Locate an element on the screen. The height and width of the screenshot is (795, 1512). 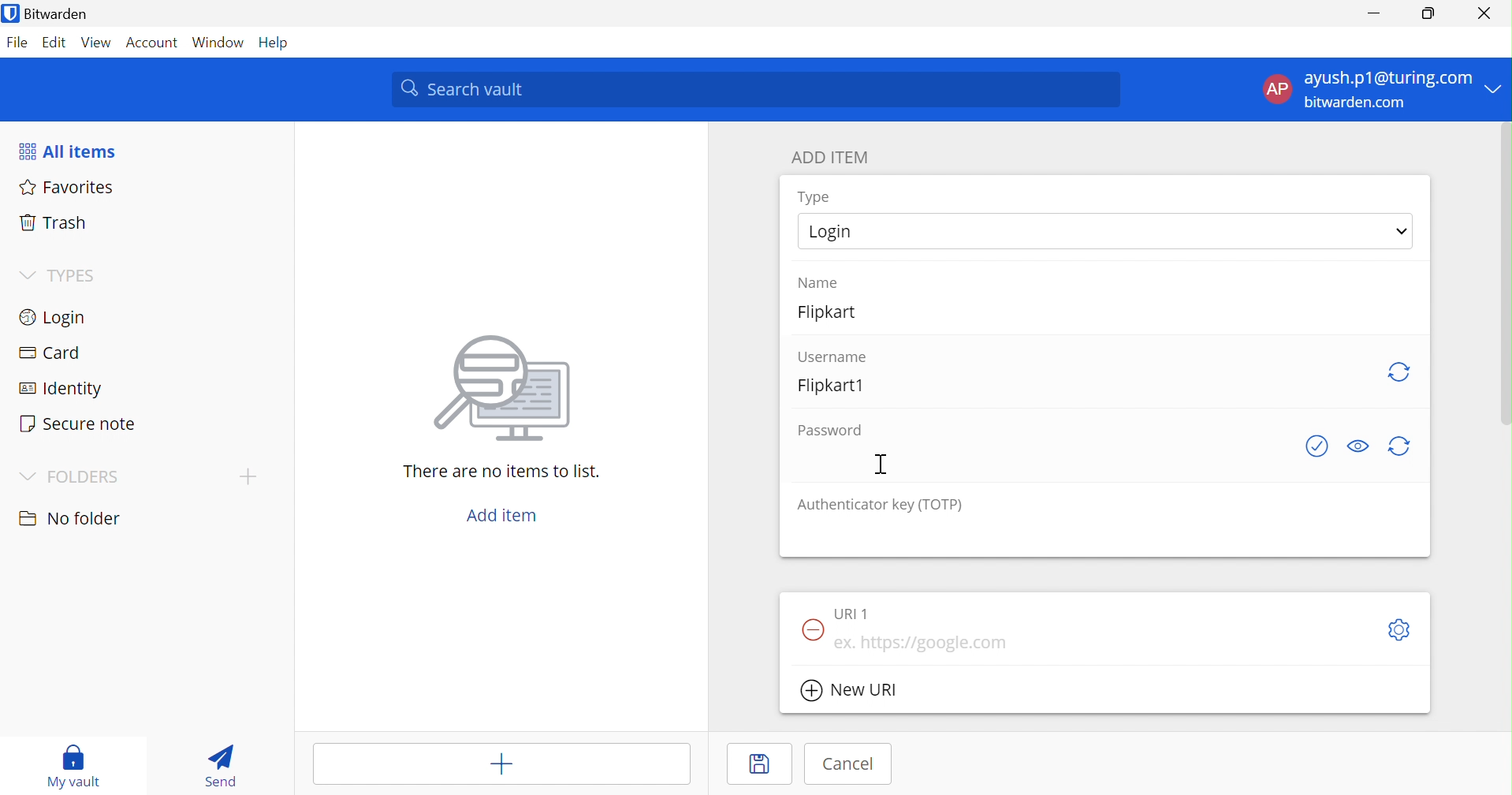
Flipkart is located at coordinates (837, 317).